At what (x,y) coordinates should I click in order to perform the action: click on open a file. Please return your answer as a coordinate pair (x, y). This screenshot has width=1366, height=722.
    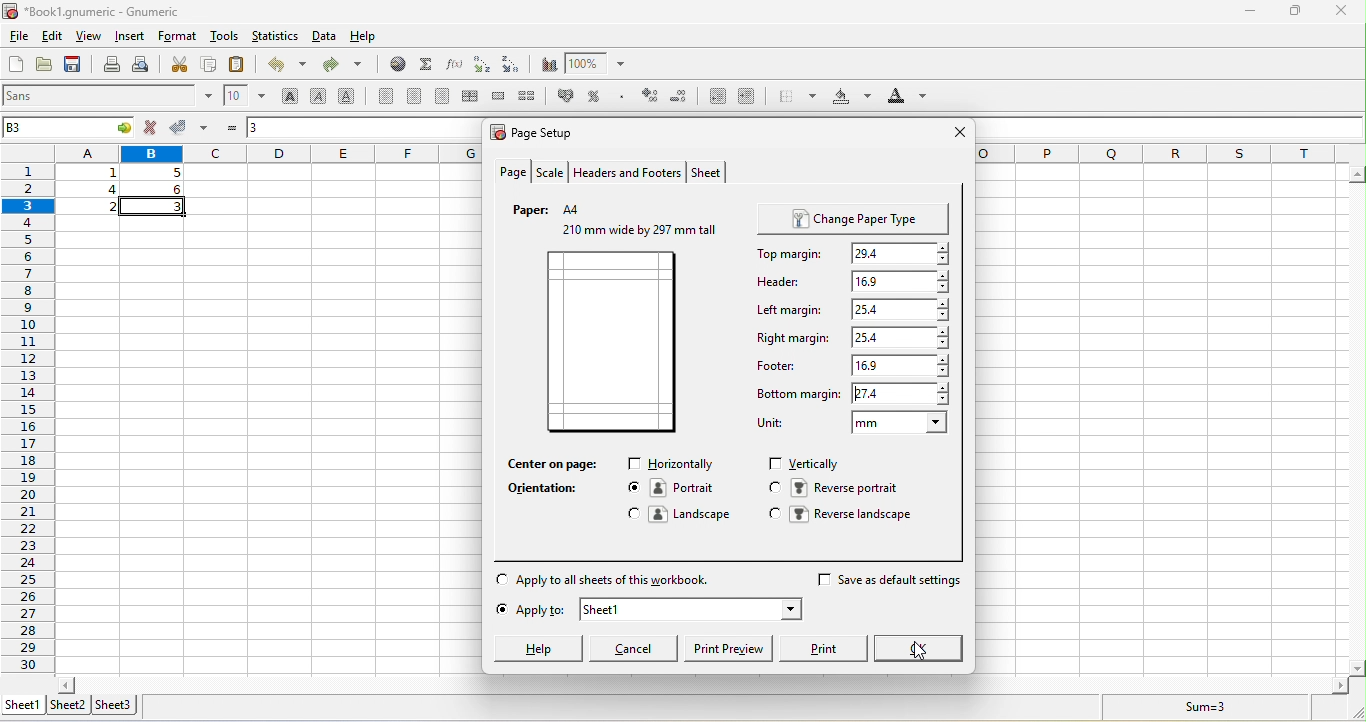
    Looking at the image, I should click on (47, 67).